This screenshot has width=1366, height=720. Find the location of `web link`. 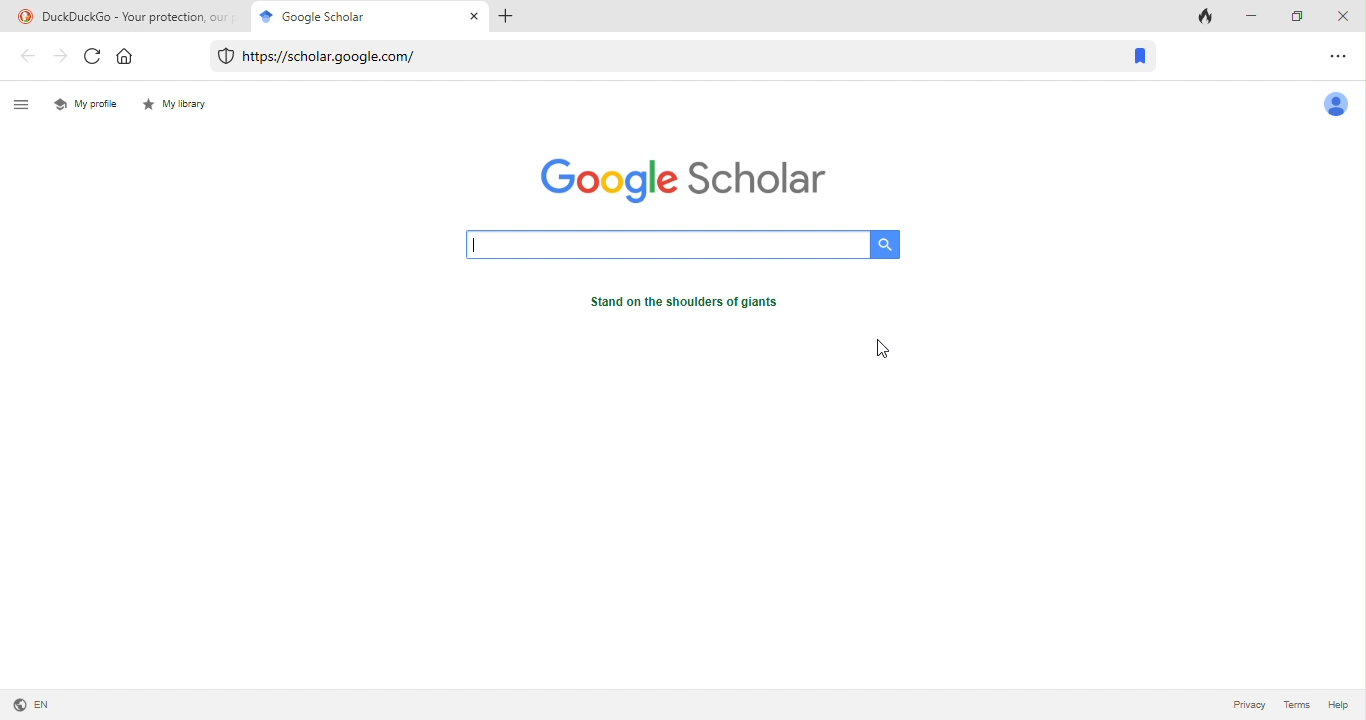

web link is located at coordinates (657, 57).